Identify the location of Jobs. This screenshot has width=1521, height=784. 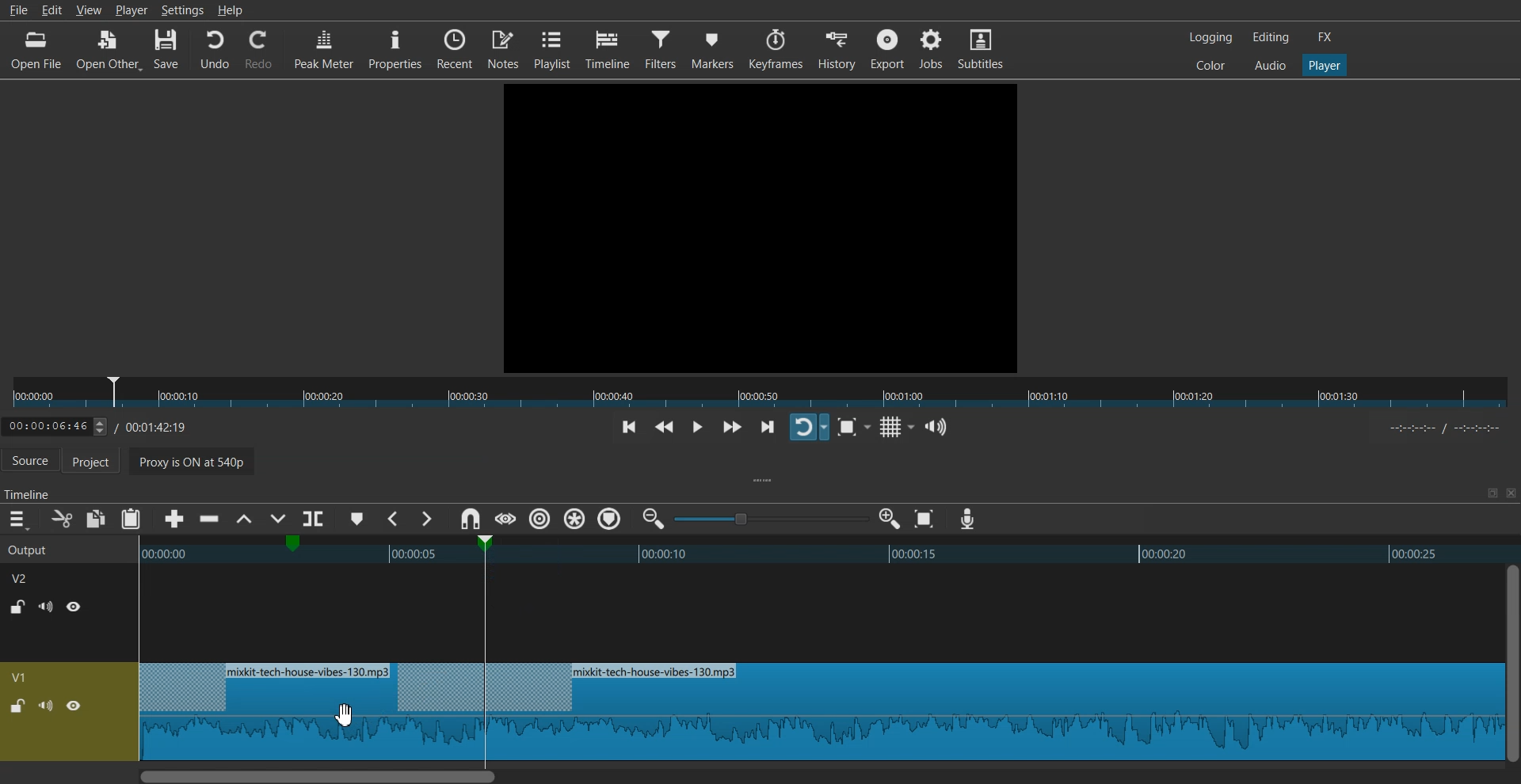
(930, 48).